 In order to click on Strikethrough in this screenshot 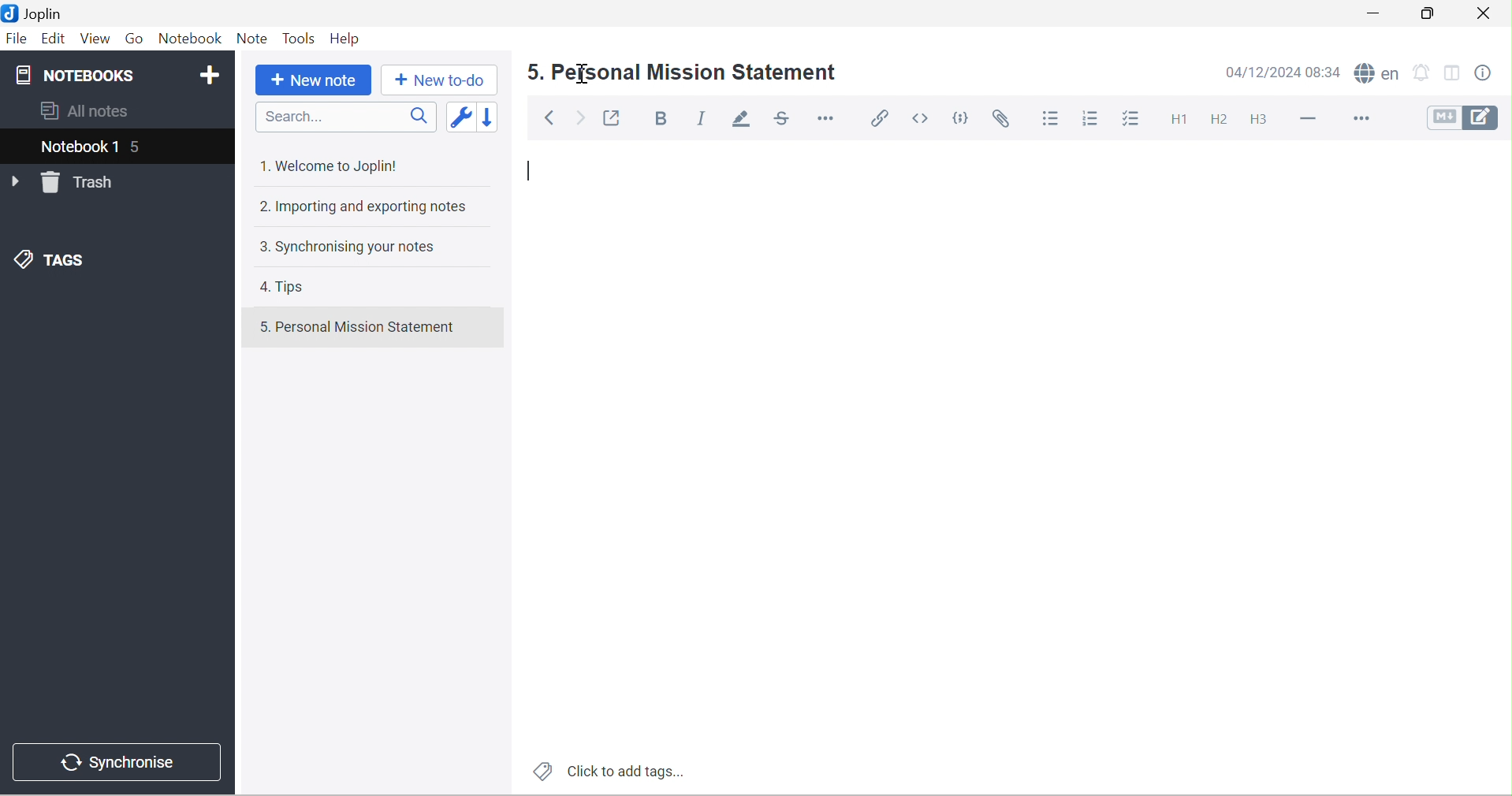, I will do `click(784, 117)`.